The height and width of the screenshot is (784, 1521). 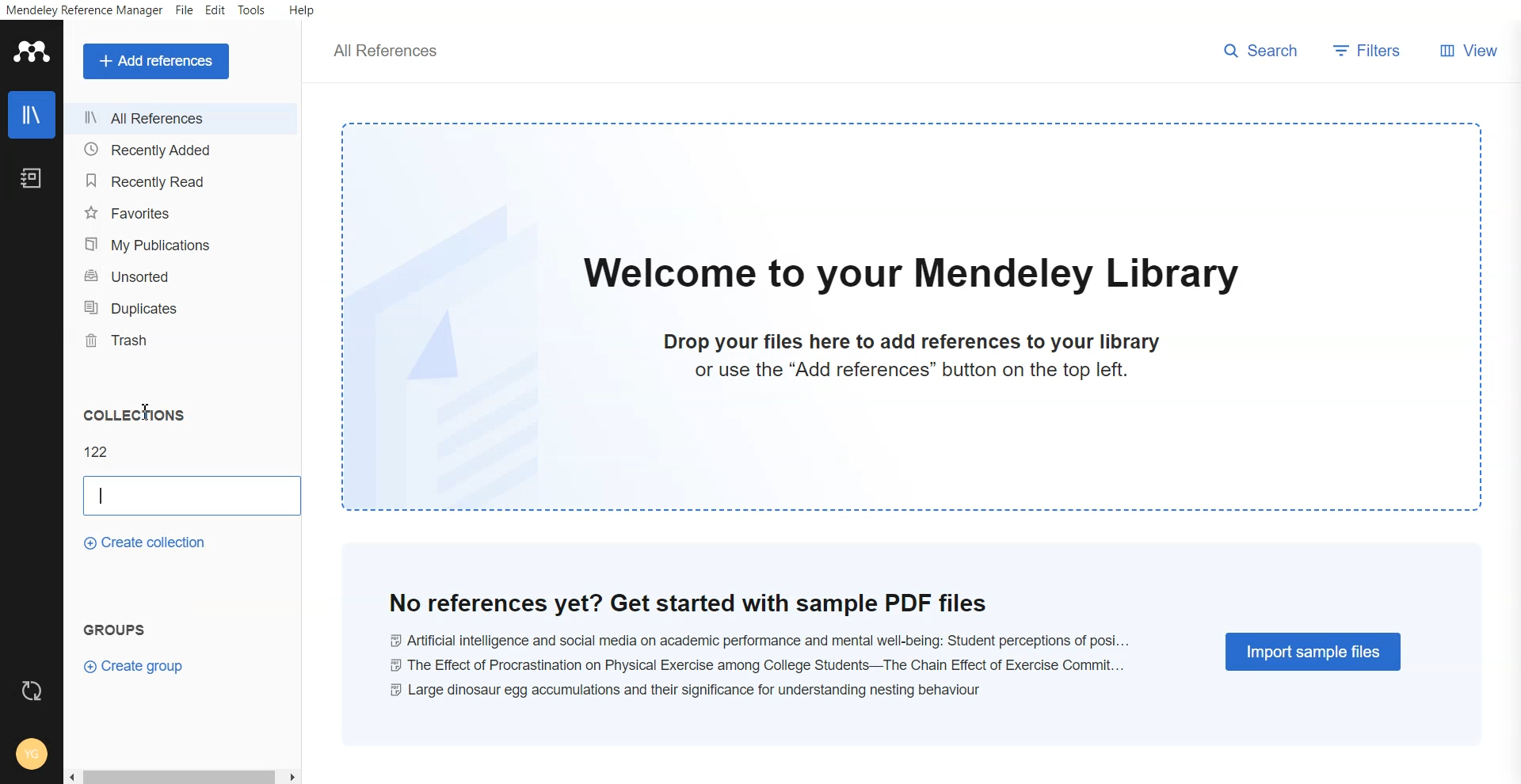 I want to click on 122, so click(x=104, y=450).